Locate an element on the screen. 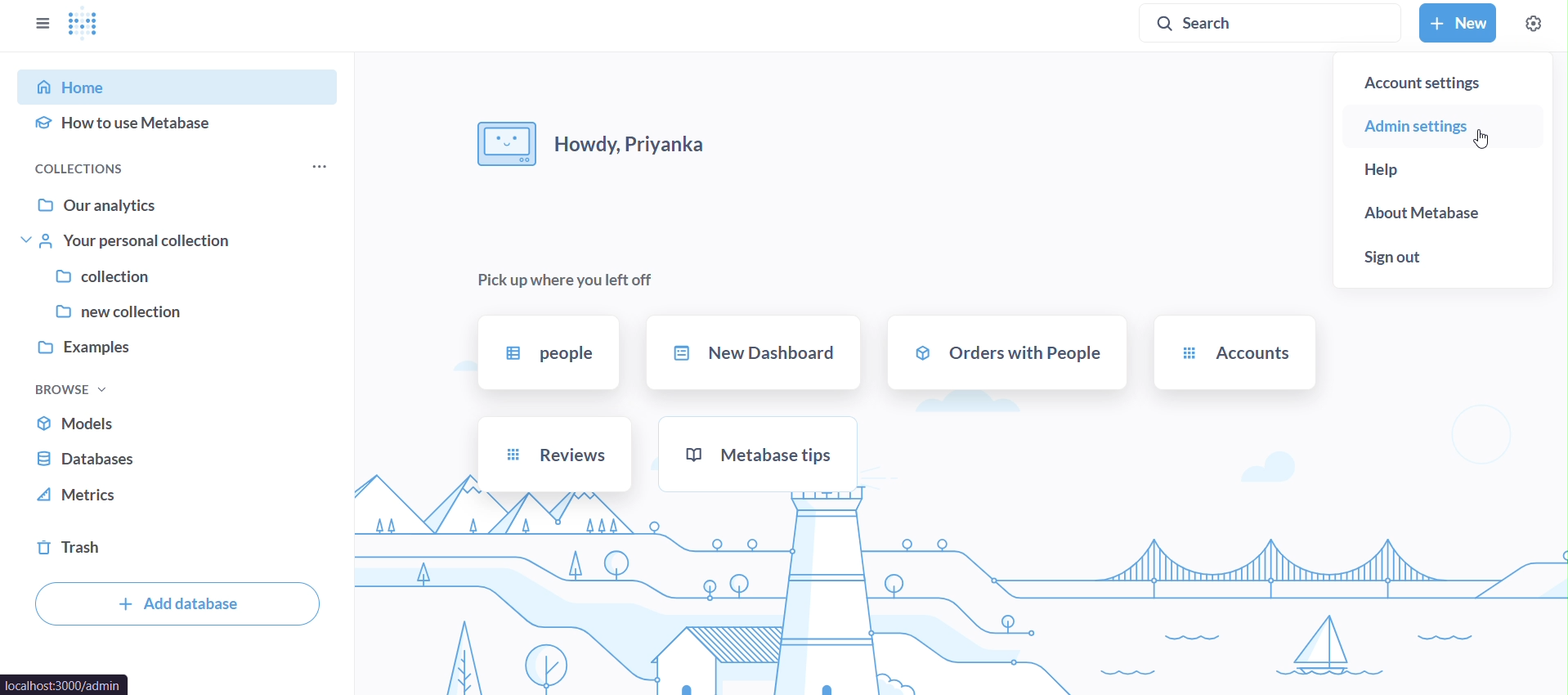 This screenshot has height=695, width=1568. trash is located at coordinates (179, 549).